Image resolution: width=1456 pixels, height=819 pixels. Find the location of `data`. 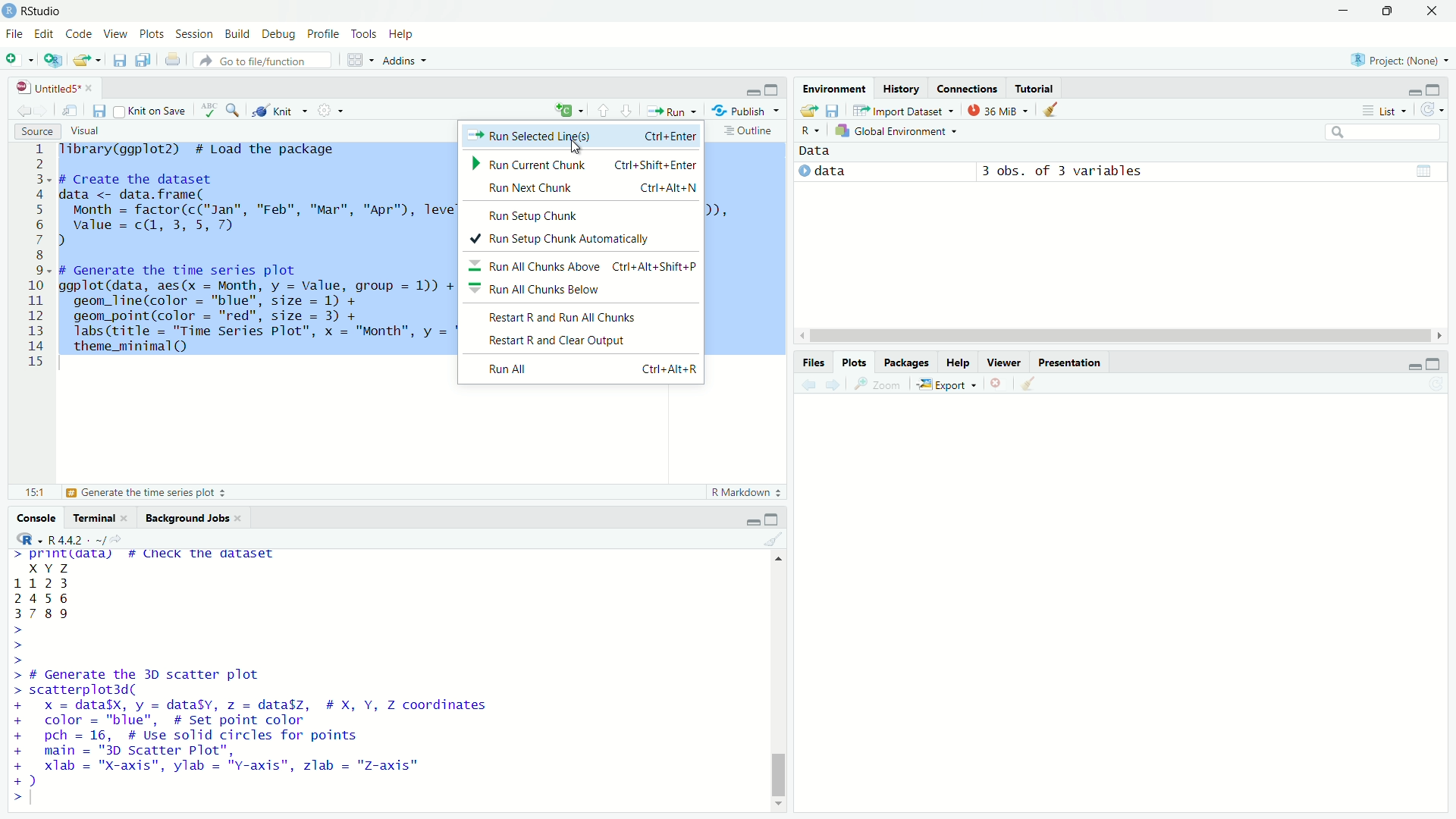

data is located at coordinates (821, 152).